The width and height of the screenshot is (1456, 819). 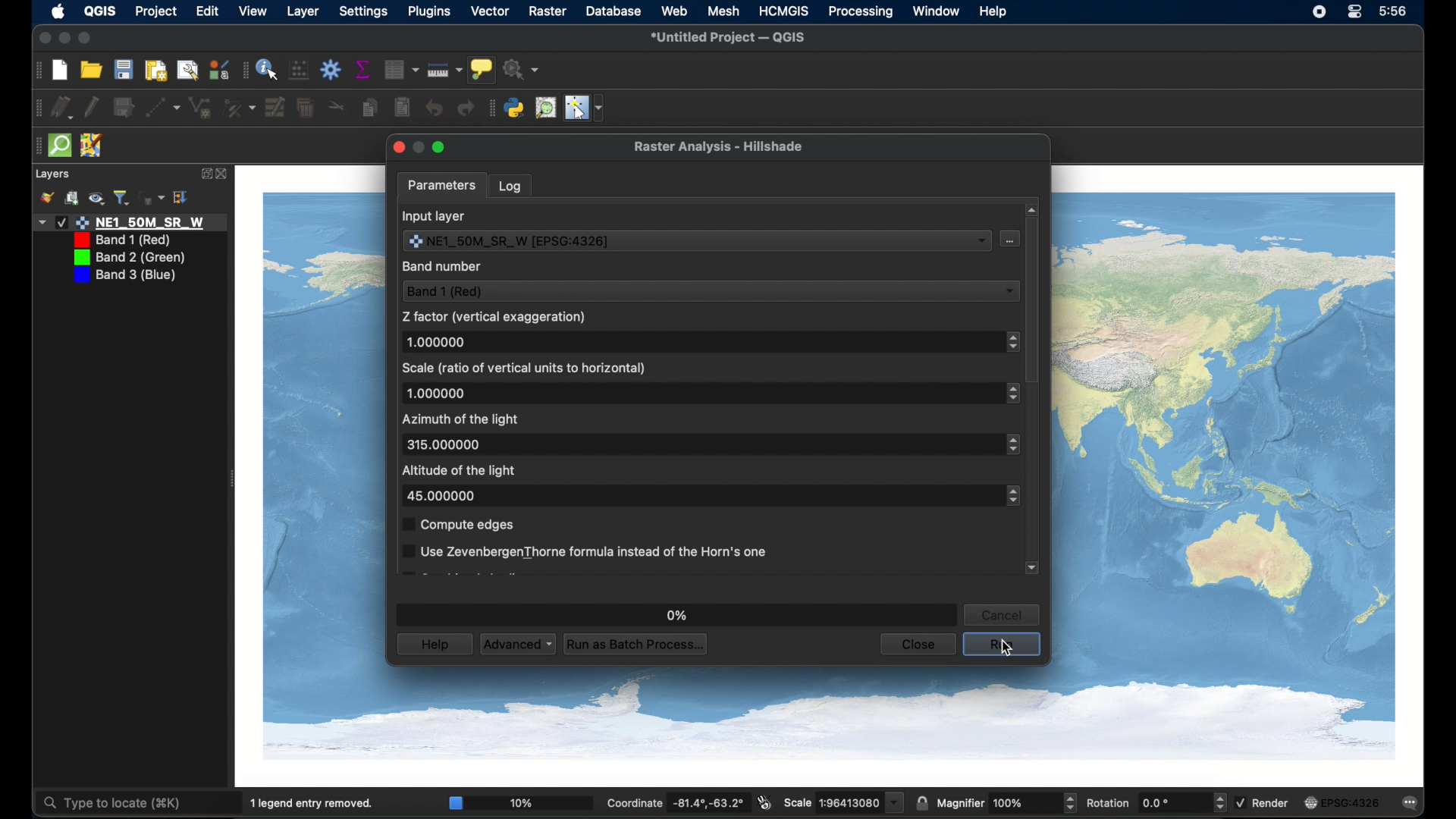 What do you see at coordinates (163, 108) in the screenshot?
I see `digitize with segment` at bounding box center [163, 108].